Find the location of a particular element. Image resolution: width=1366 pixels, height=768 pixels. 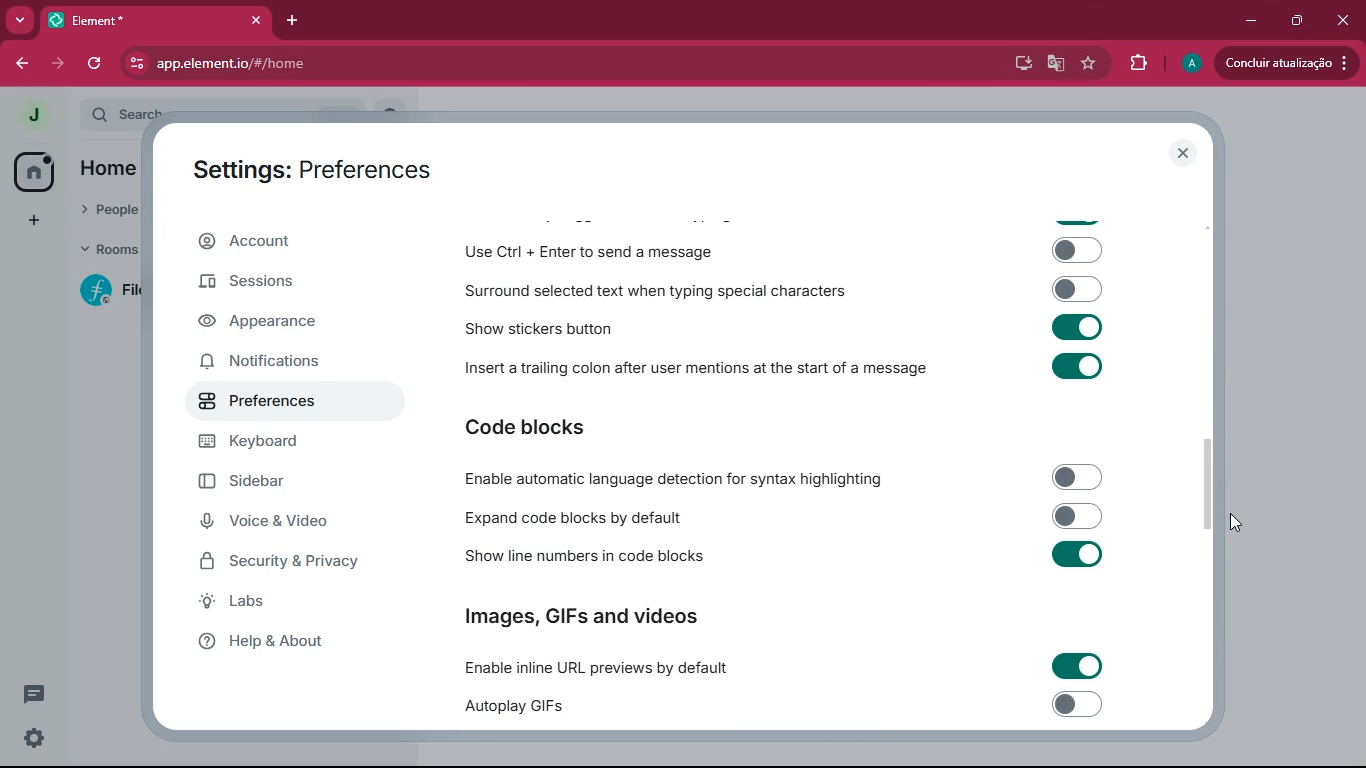

comments is located at coordinates (34, 693).